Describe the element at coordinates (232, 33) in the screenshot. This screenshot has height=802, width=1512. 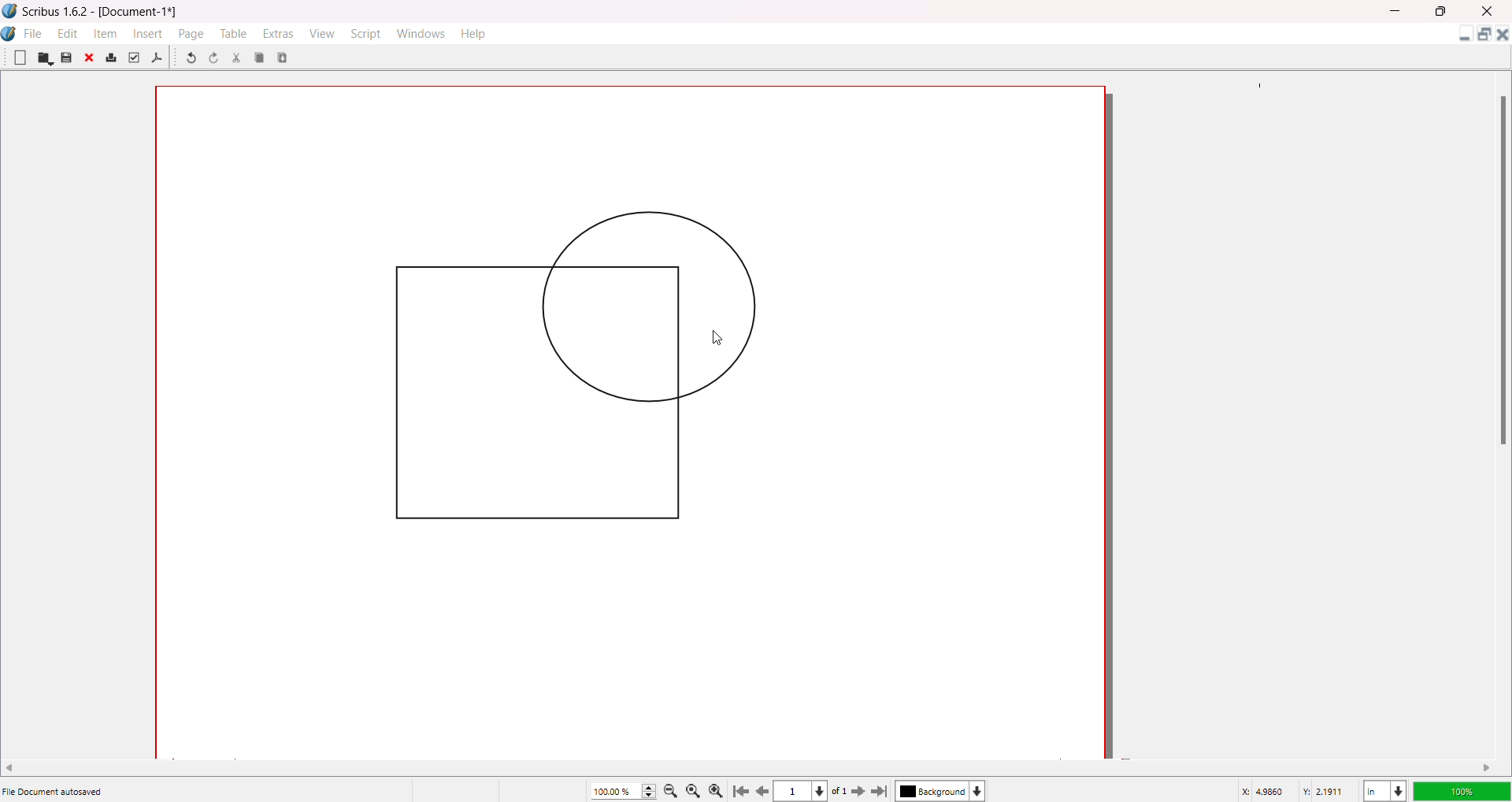
I see `Table` at that location.